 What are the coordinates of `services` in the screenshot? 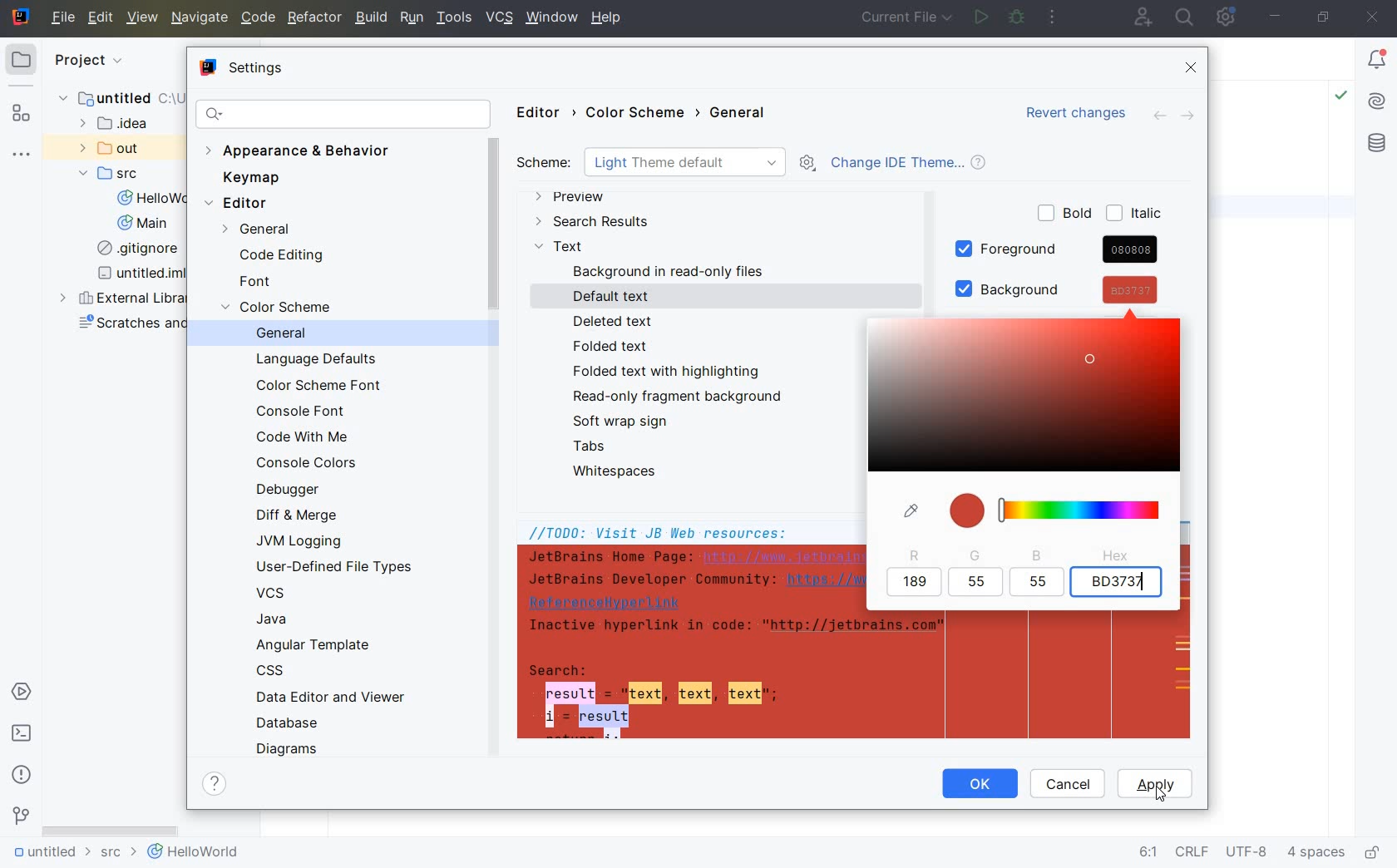 It's located at (21, 693).